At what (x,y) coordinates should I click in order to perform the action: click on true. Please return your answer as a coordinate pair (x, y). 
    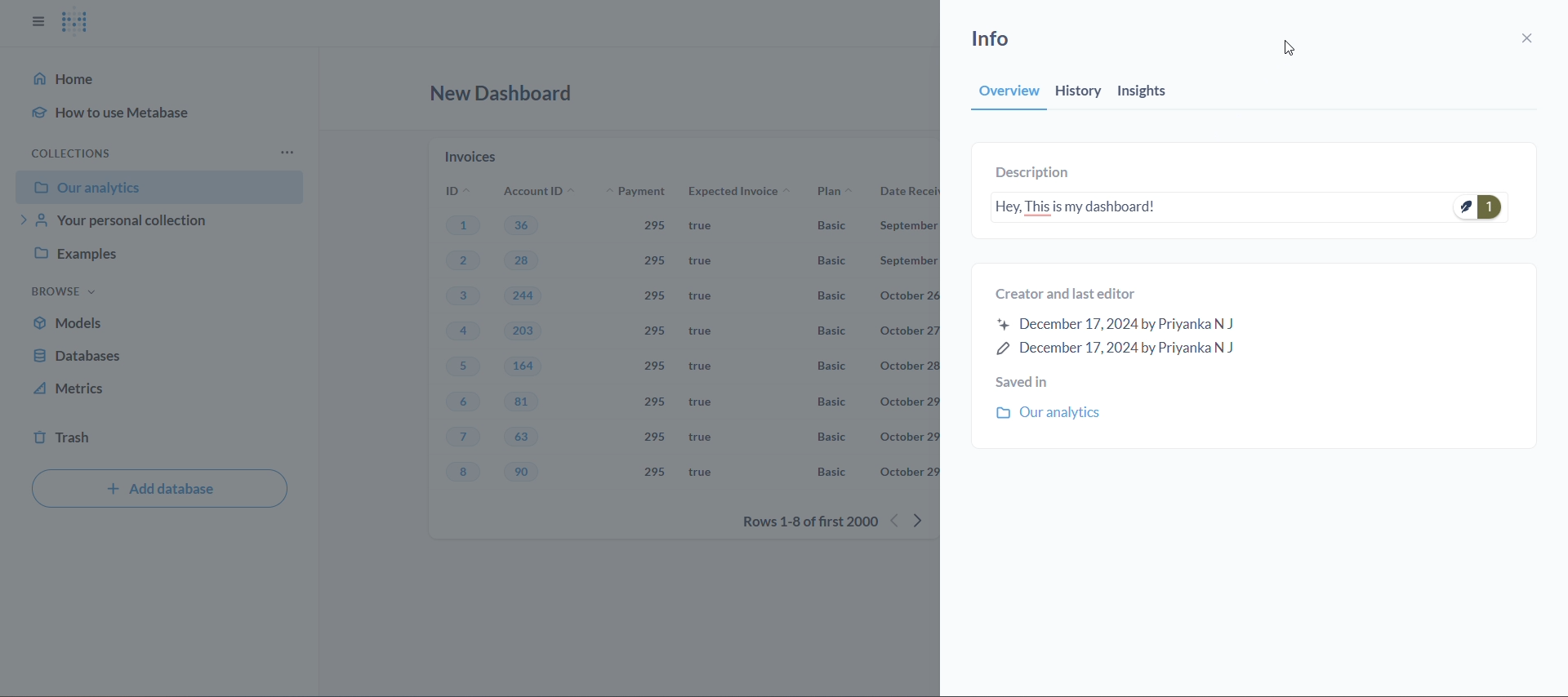
    Looking at the image, I should click on (707, 297).